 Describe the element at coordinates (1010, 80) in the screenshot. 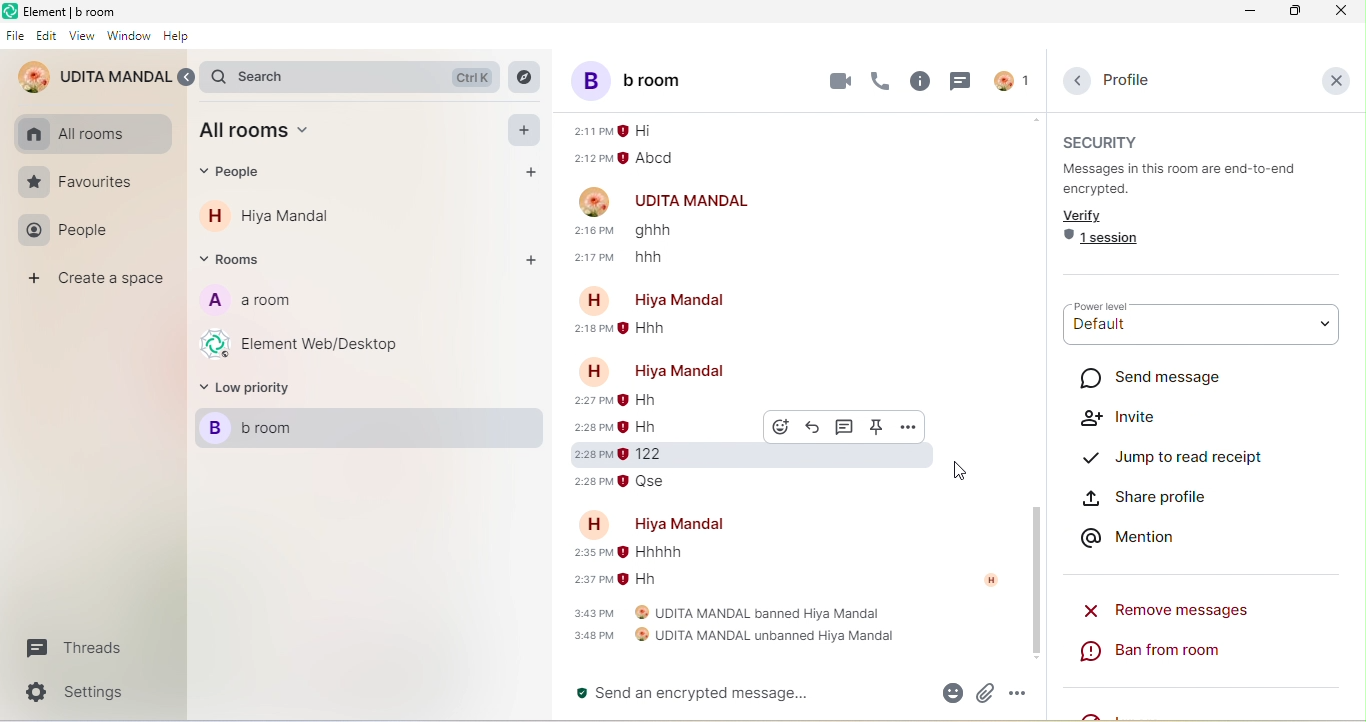

I see `account` at that location.